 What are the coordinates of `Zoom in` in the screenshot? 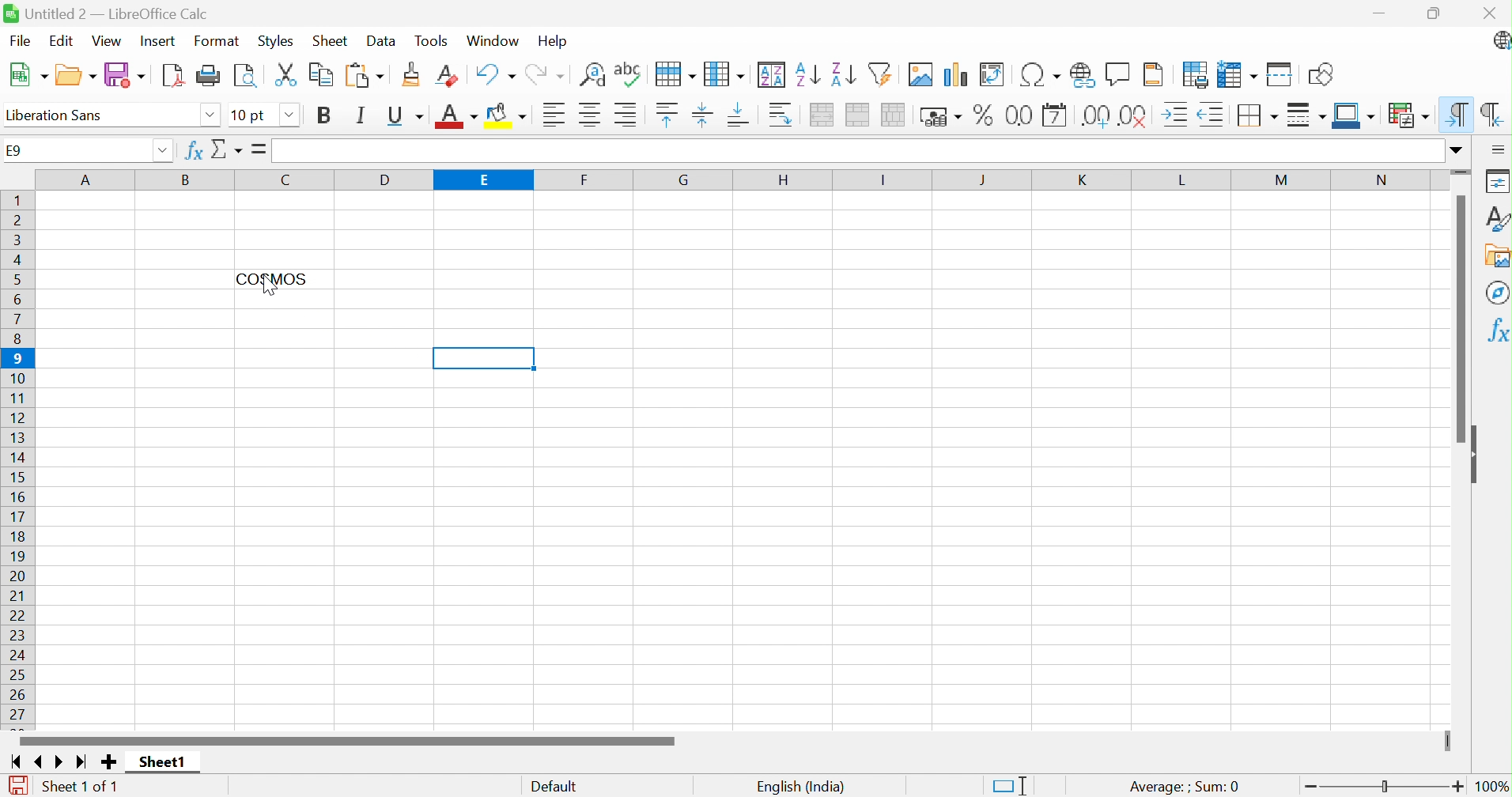 It's located at (1458, 786).